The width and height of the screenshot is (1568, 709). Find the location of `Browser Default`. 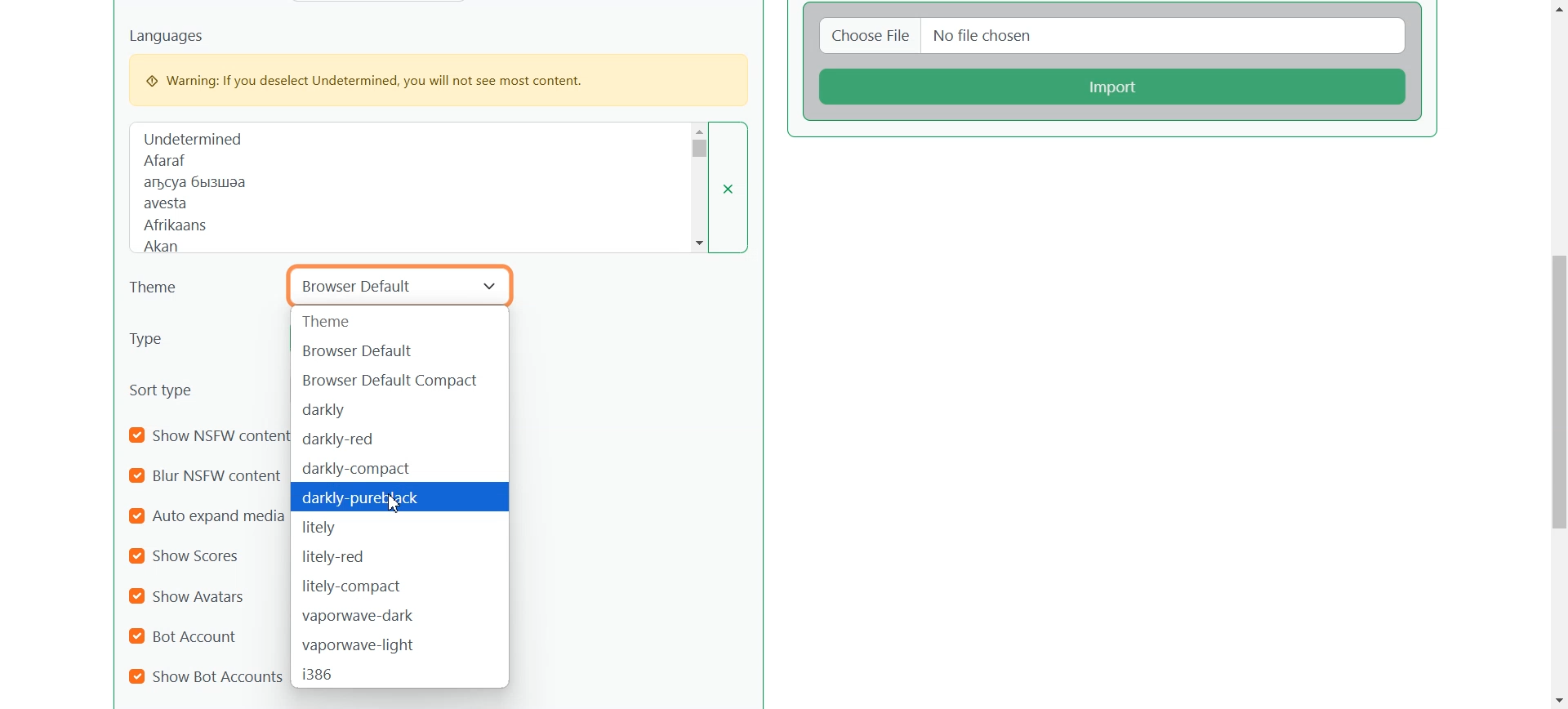

Browser Default is located at coordinates (400, 350).